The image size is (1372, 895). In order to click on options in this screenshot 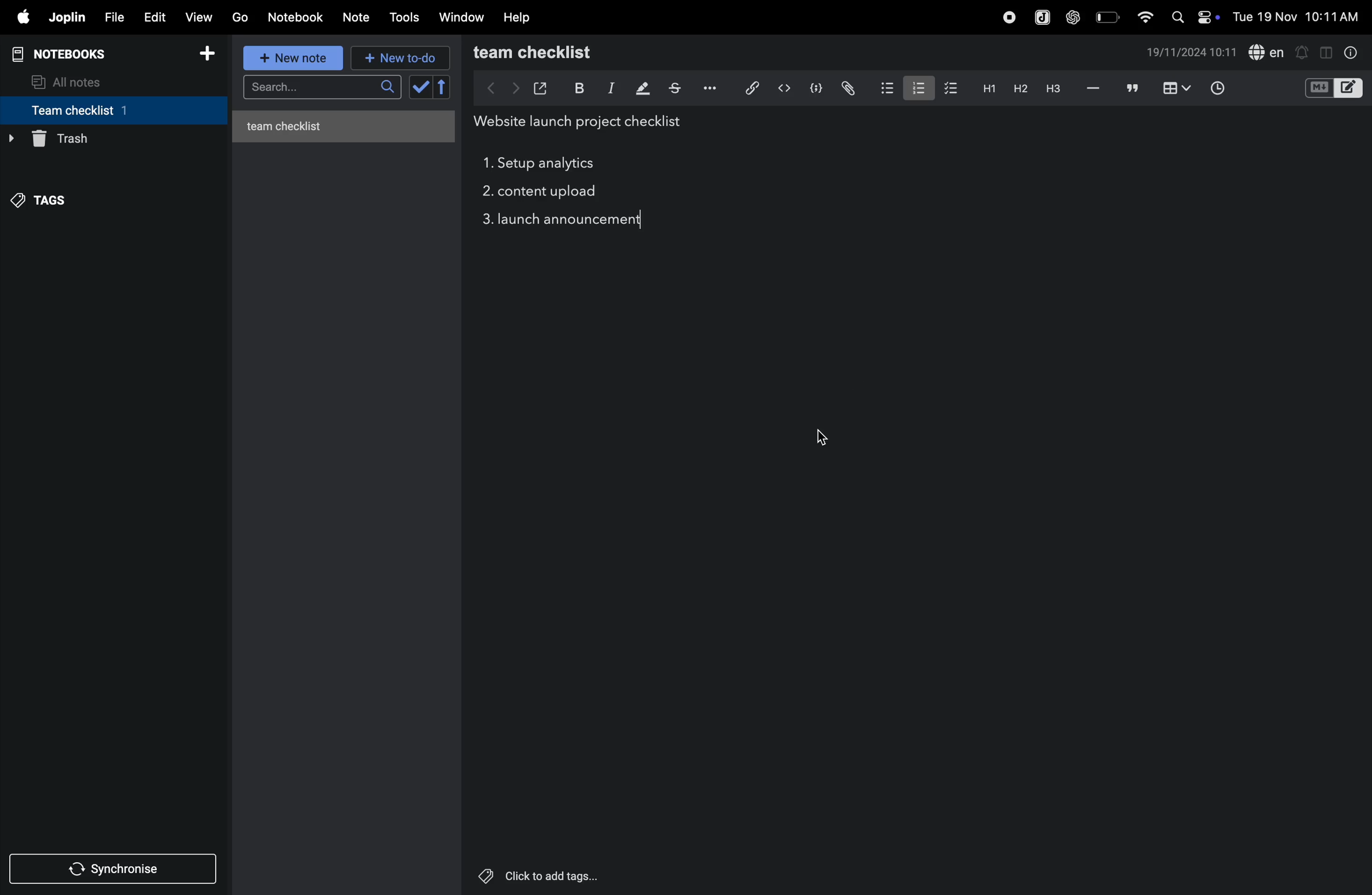, I will do `click(708, 88)`.